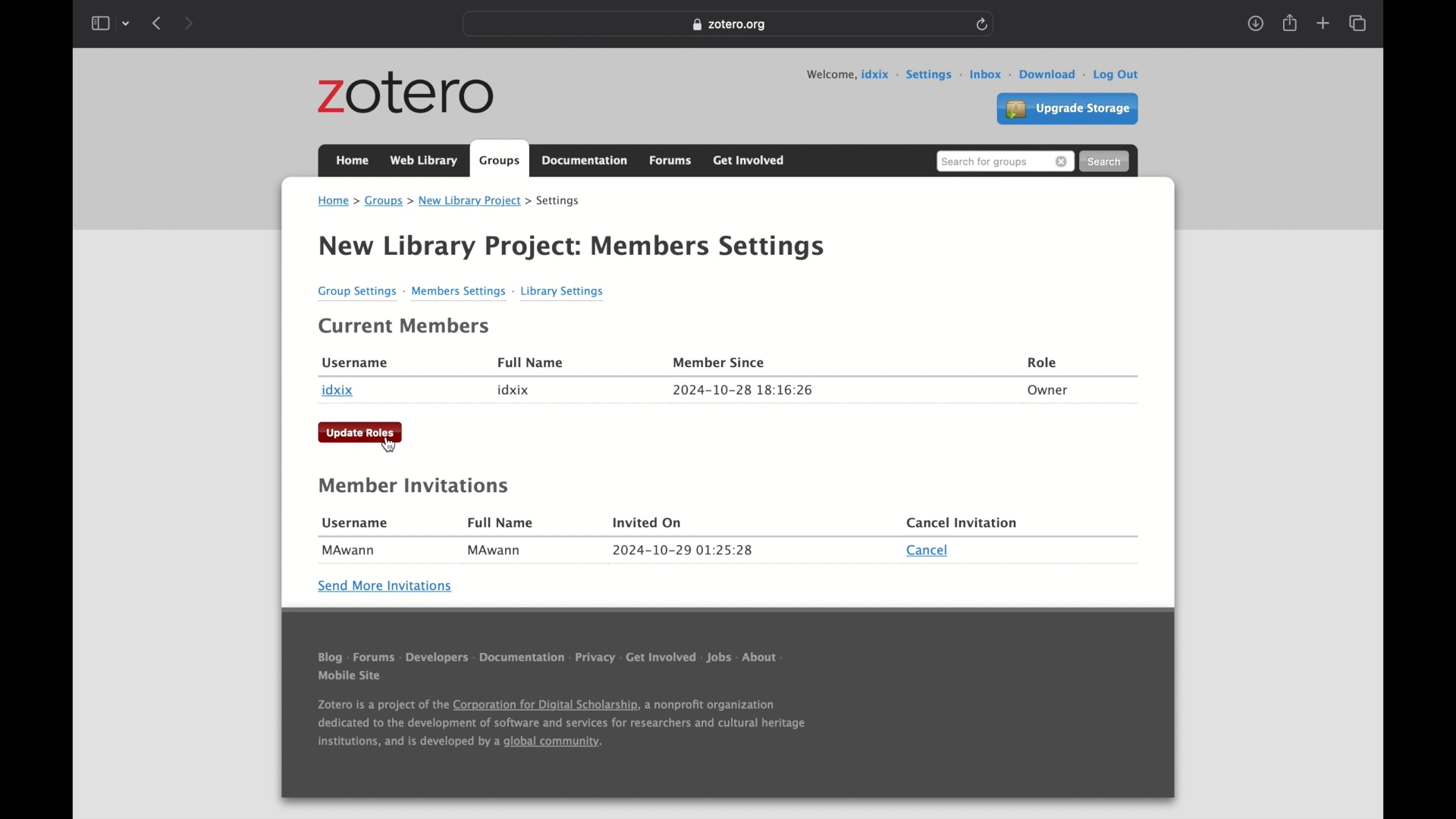  Describe the element at coordinates (387, 585) in the screenshot. I see `send more invitations` at that location.